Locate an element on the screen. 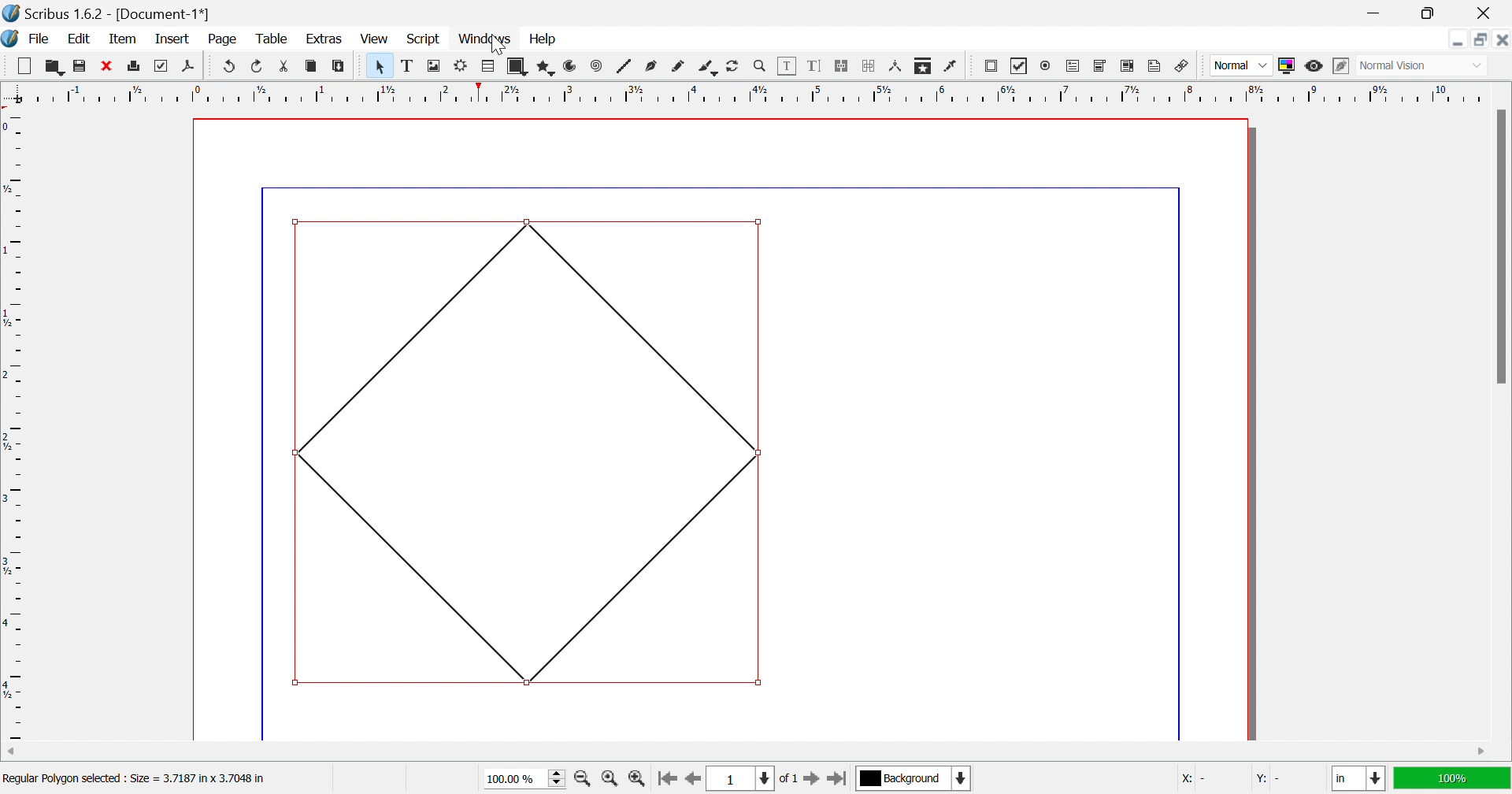  Restore down is located at coordinates (1481, 39).